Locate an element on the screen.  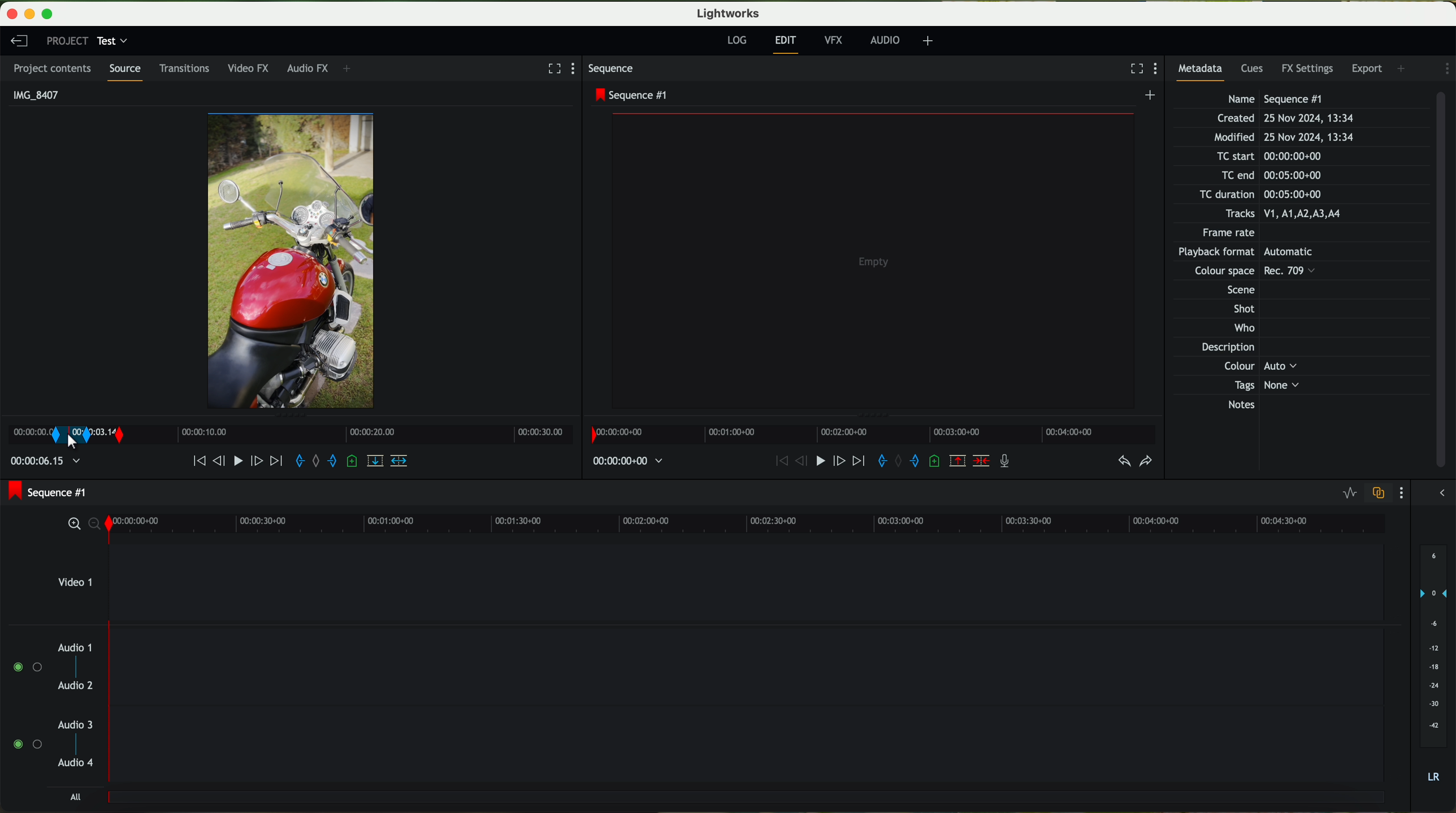
project contents is located at coordinates (54, 68).